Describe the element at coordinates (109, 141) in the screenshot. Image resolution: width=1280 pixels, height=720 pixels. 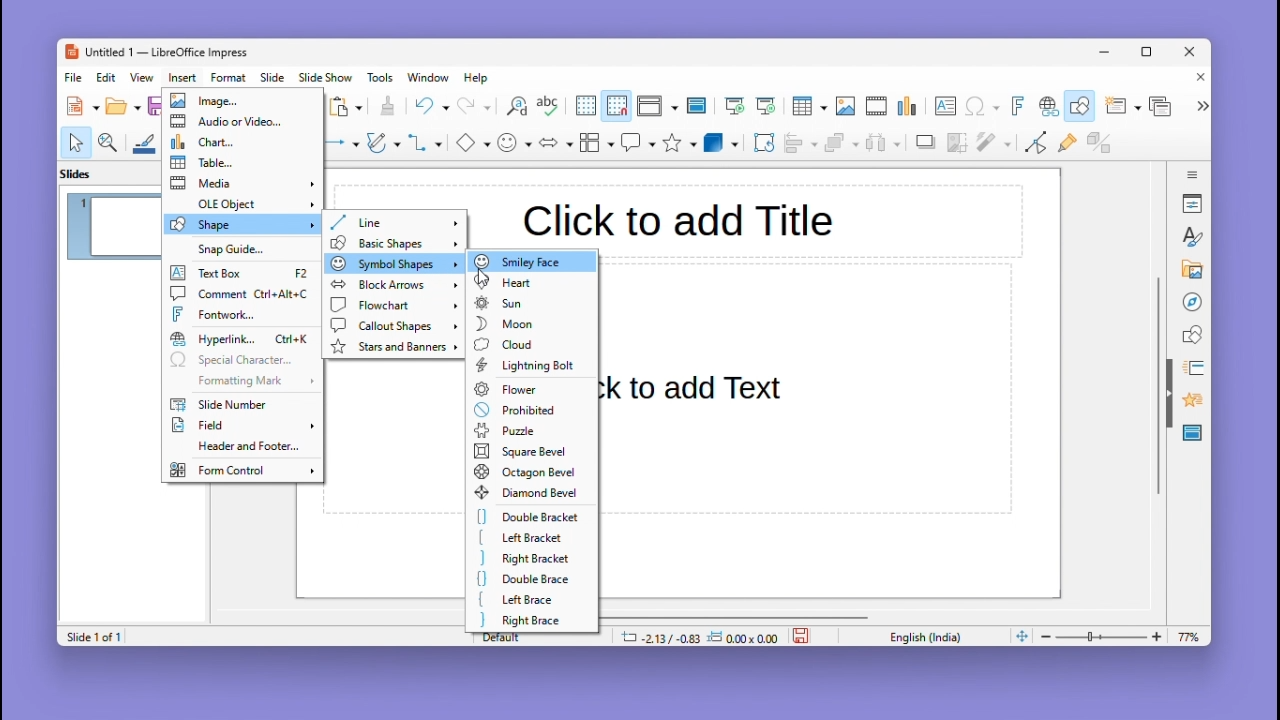
I see `Magnification` at that location.